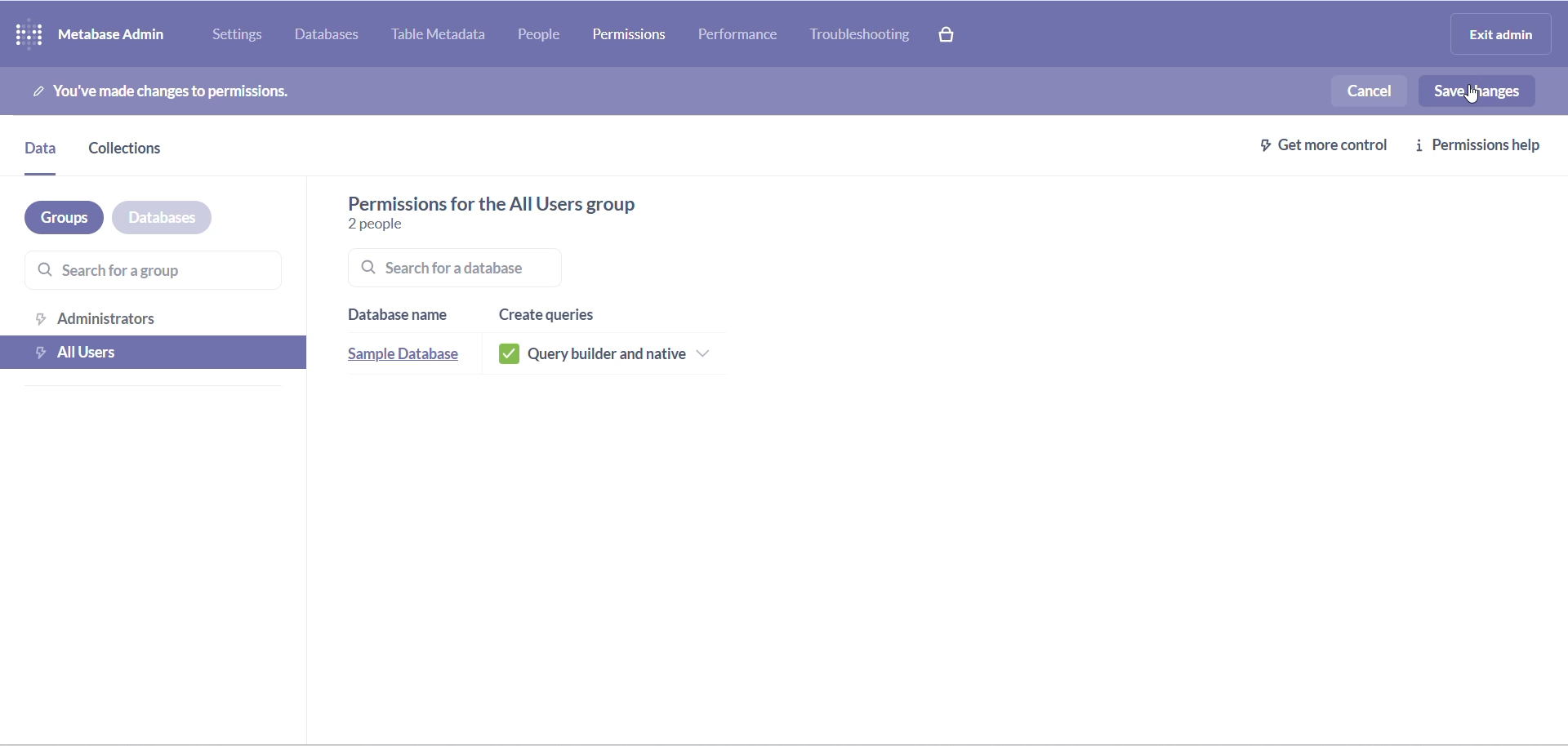 The width and height of the screenshot is (1568, 746). Describe the element at coordinates (486, 271) in the screenshot. I see `searchbar` at that location.